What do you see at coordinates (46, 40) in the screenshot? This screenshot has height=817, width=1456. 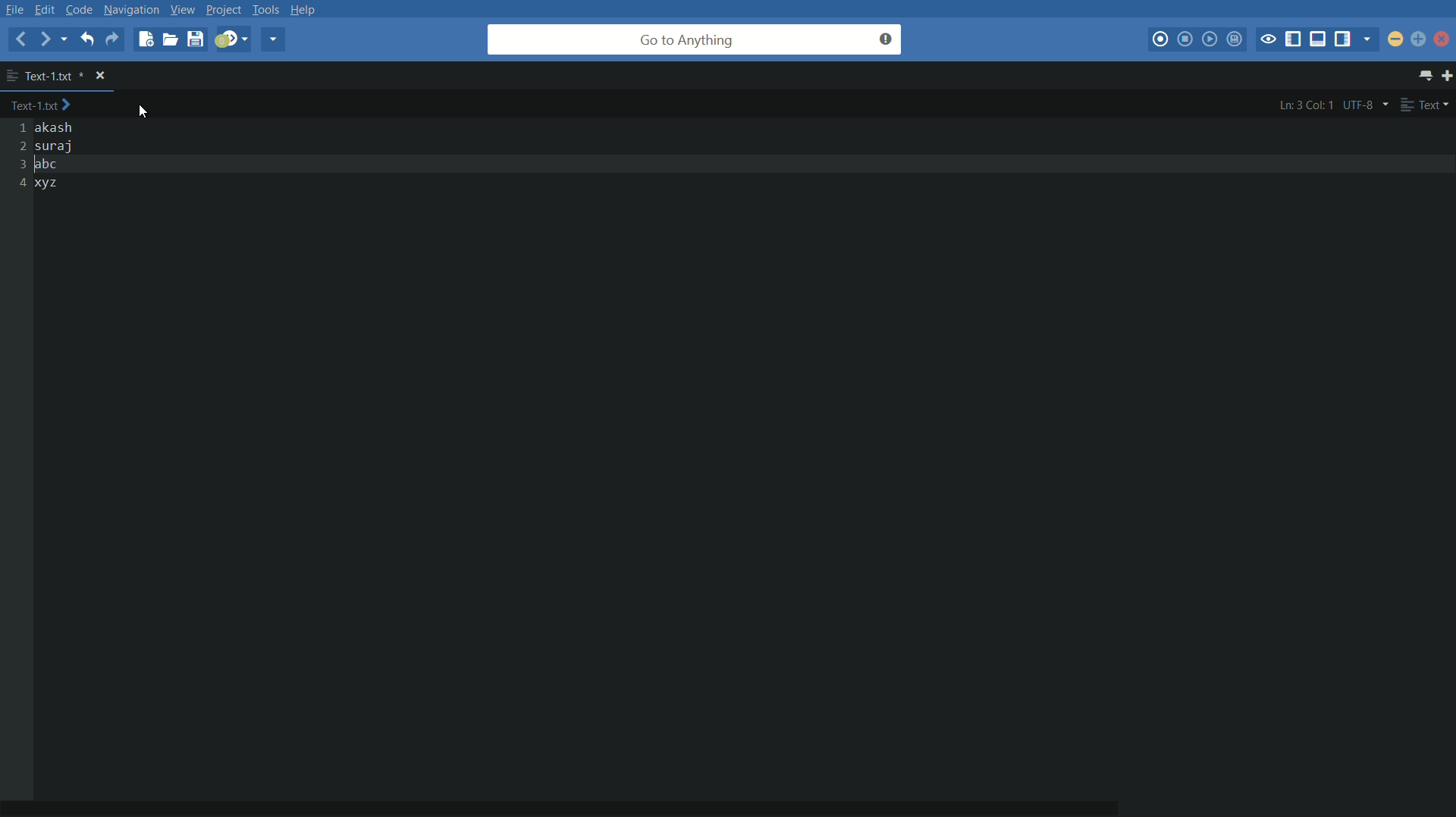 I see `forward` at bounding box center [46, 40].